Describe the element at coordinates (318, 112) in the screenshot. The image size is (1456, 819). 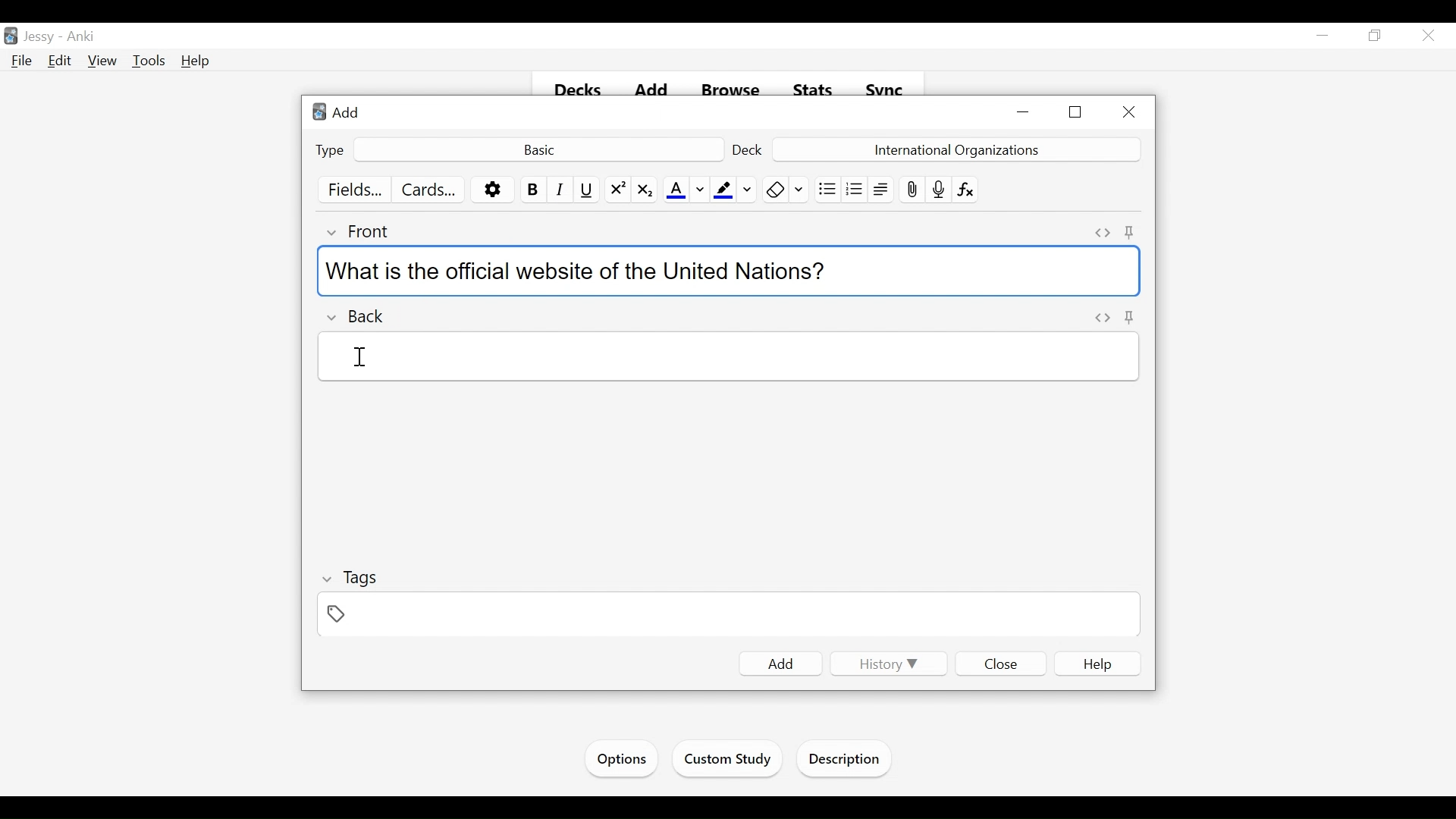
I see `Anki Desktop Icon` at that location.